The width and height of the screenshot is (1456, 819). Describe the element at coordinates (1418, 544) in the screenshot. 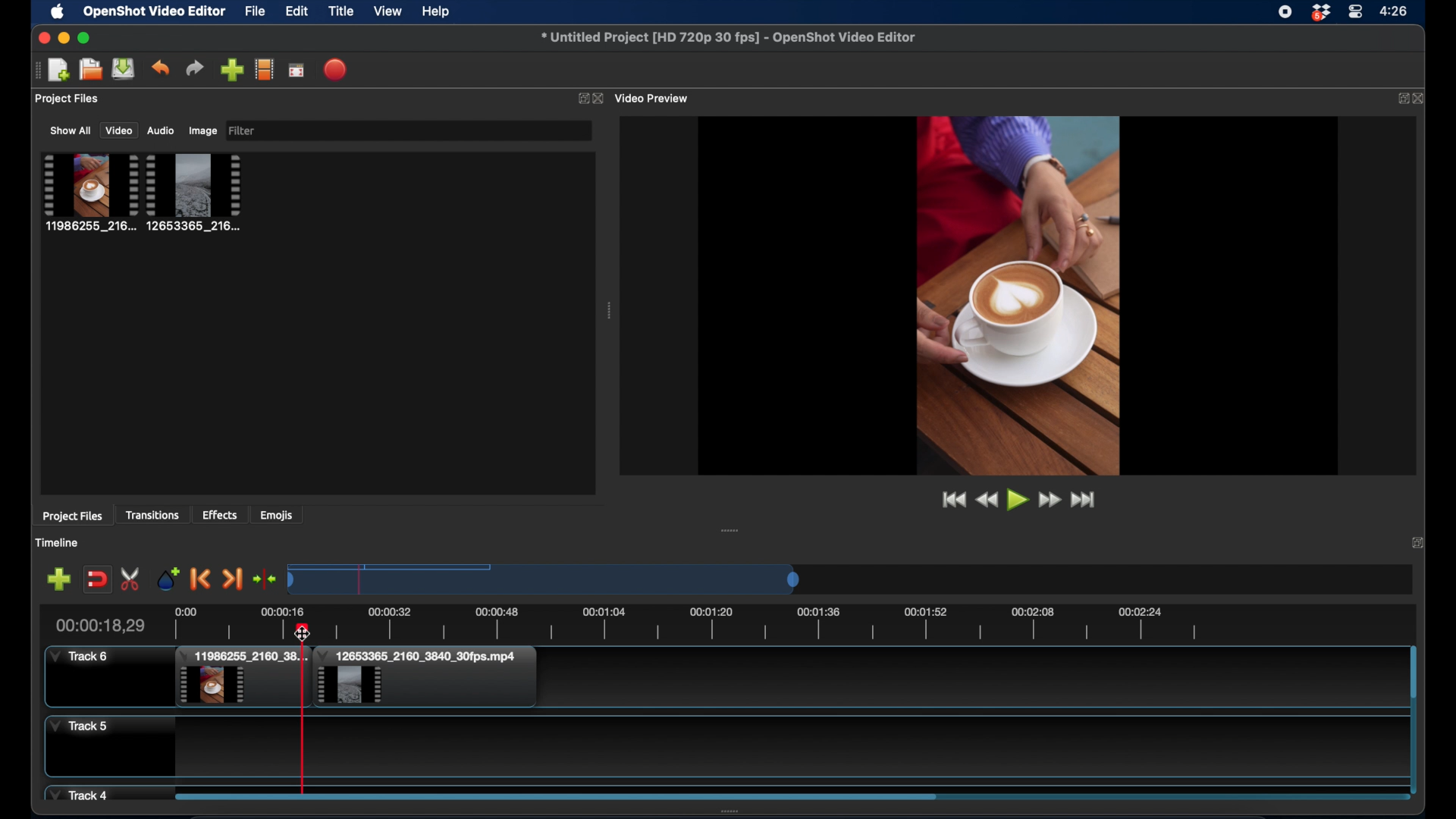

I see `expand` at that location.